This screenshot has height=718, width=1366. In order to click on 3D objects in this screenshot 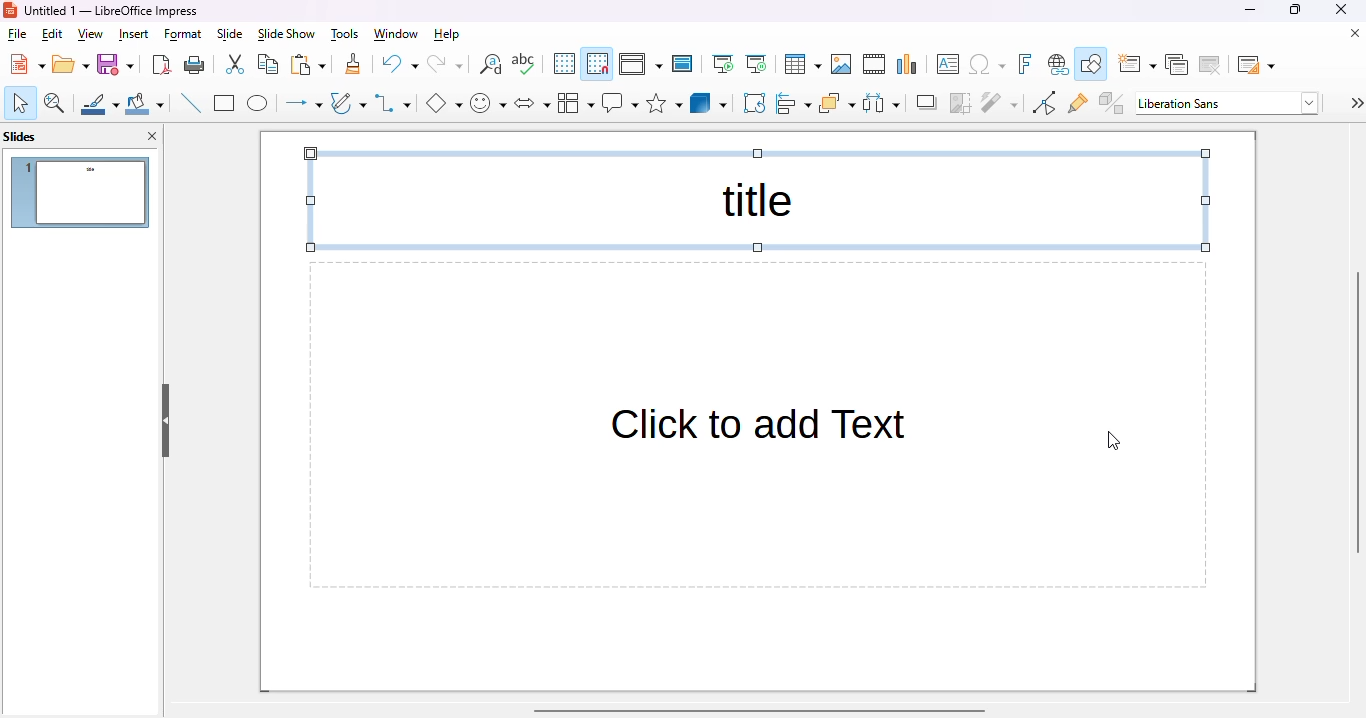, I will do `click(709, 102)`.